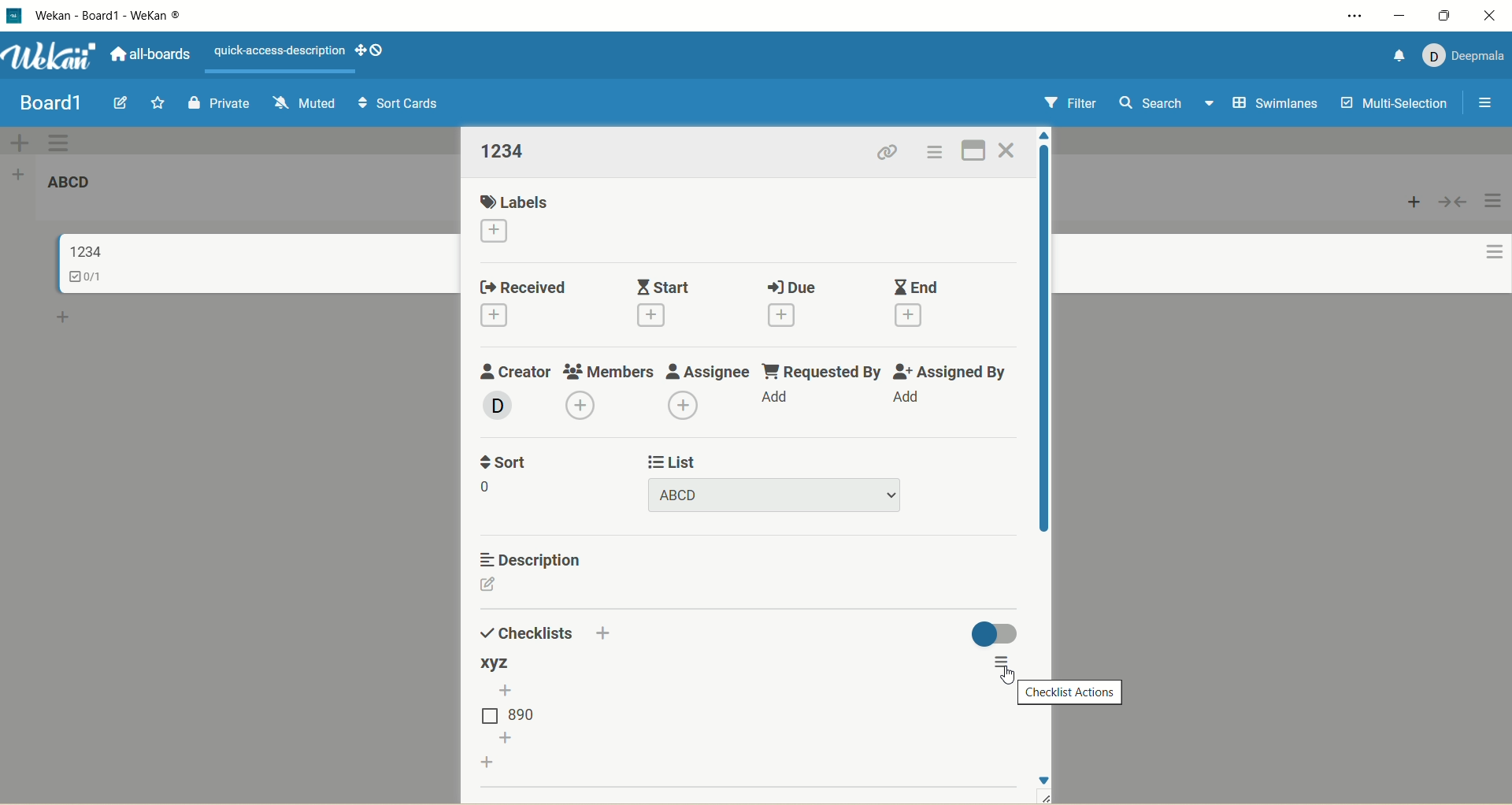 This screenshot has width=1512, height=805. Describe the element at coordinates (1072, 692) in the screenshot. I see `checklist actions` at that location.